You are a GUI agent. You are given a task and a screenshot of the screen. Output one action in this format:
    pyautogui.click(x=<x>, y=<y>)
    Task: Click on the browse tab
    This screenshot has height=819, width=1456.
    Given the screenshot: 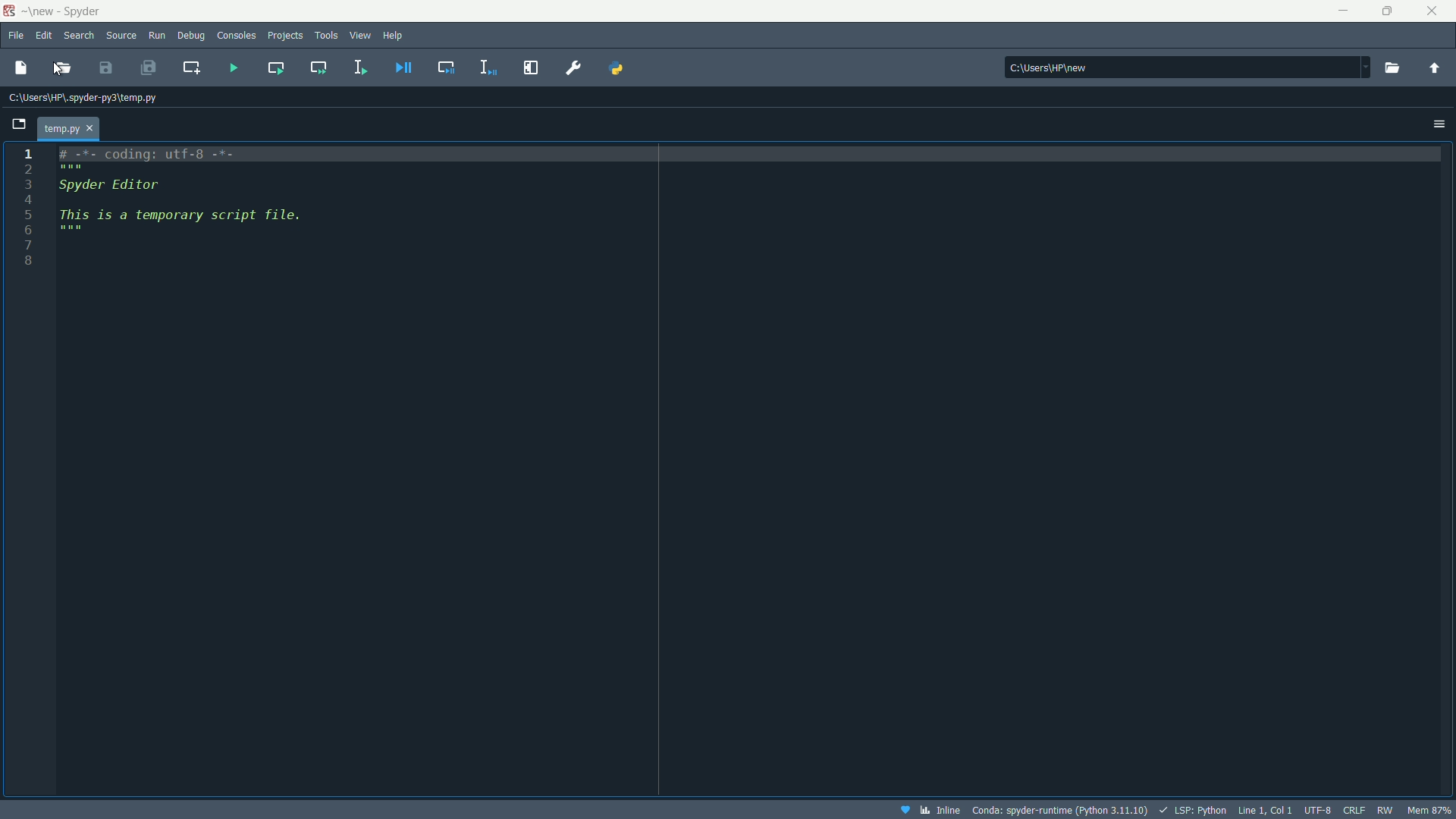 What is the action you would take?
    pyautogui.click(x=20, y=124)
    